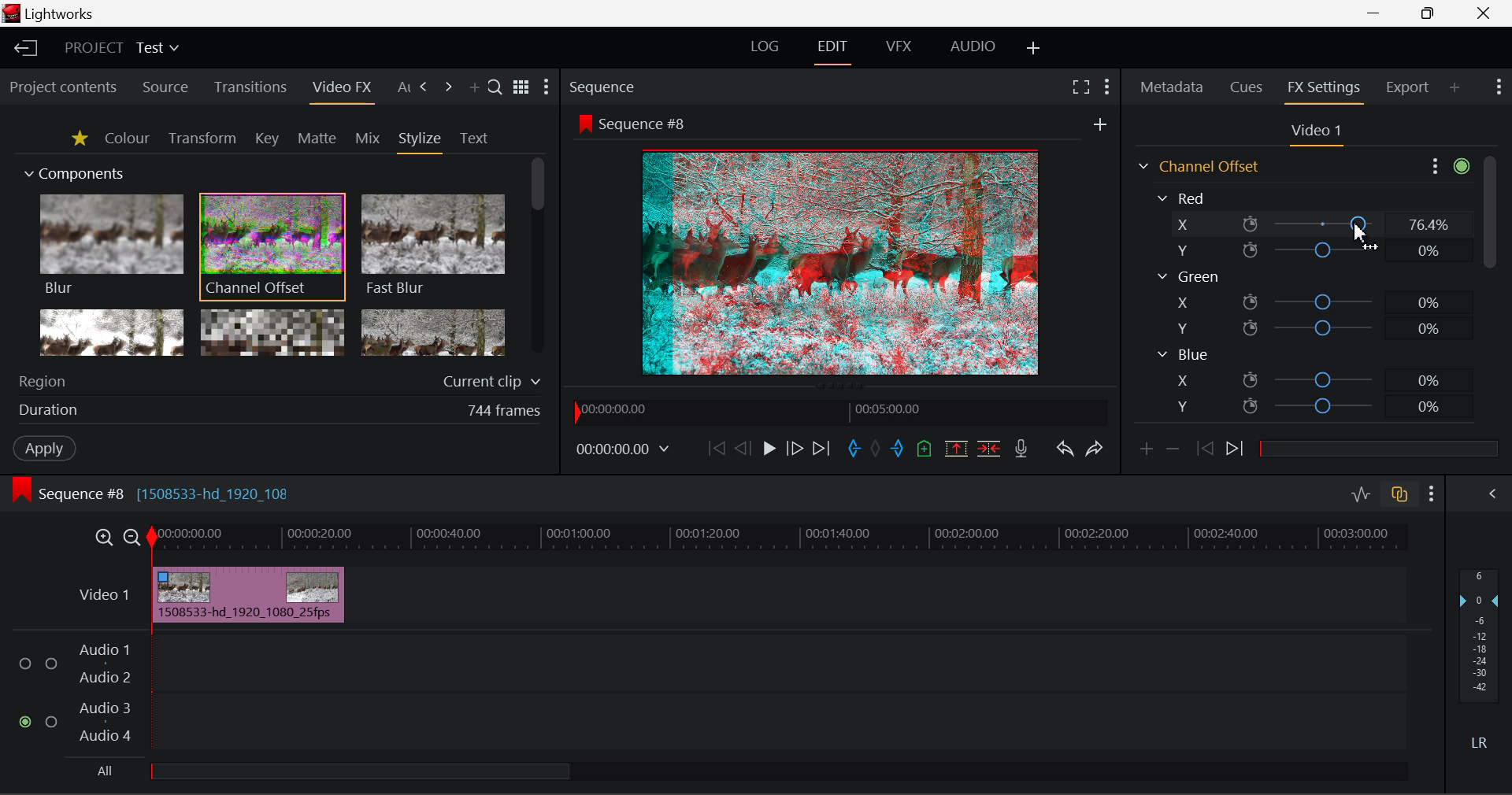 Image resolution: width=1512 pixels, height=795 pixels. Describe the element at coordinates (167, 87) in the screenshot. I see `Source` at that location.